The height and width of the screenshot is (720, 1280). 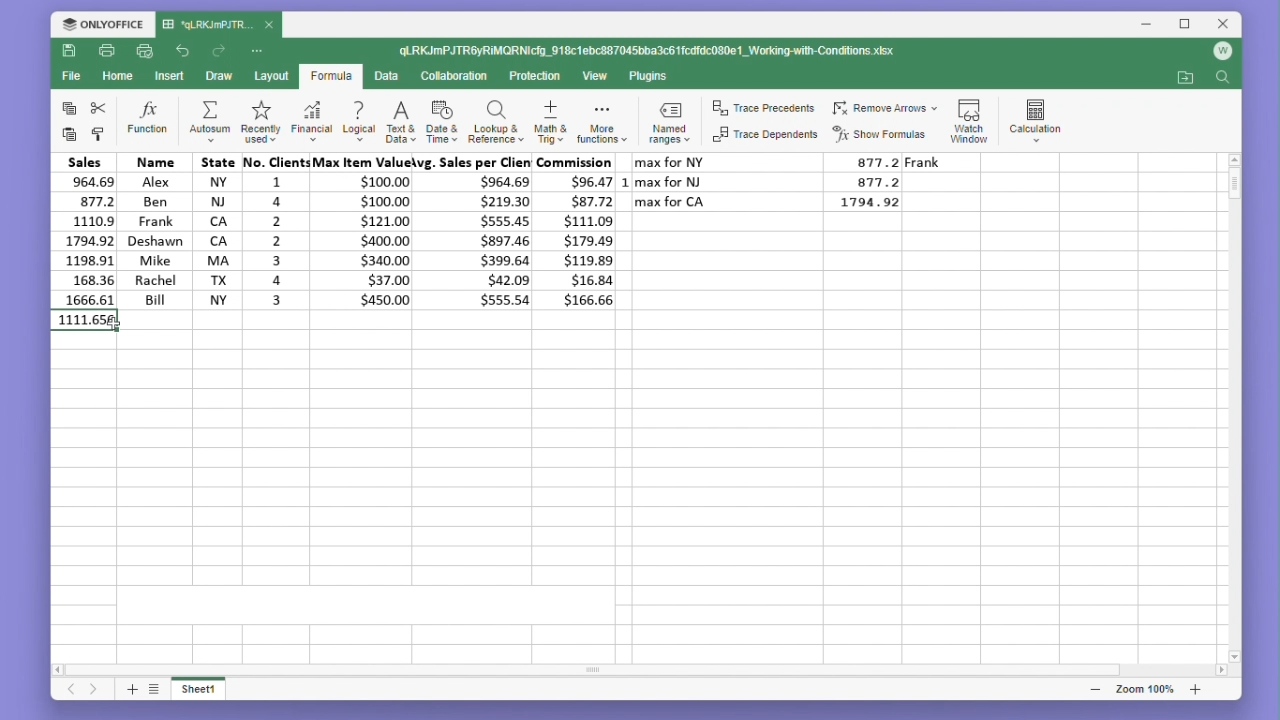 What do you see at coordinates (1185, 78) in the screenshot?
I see `Open my location` at bounding box center [1185, 78].